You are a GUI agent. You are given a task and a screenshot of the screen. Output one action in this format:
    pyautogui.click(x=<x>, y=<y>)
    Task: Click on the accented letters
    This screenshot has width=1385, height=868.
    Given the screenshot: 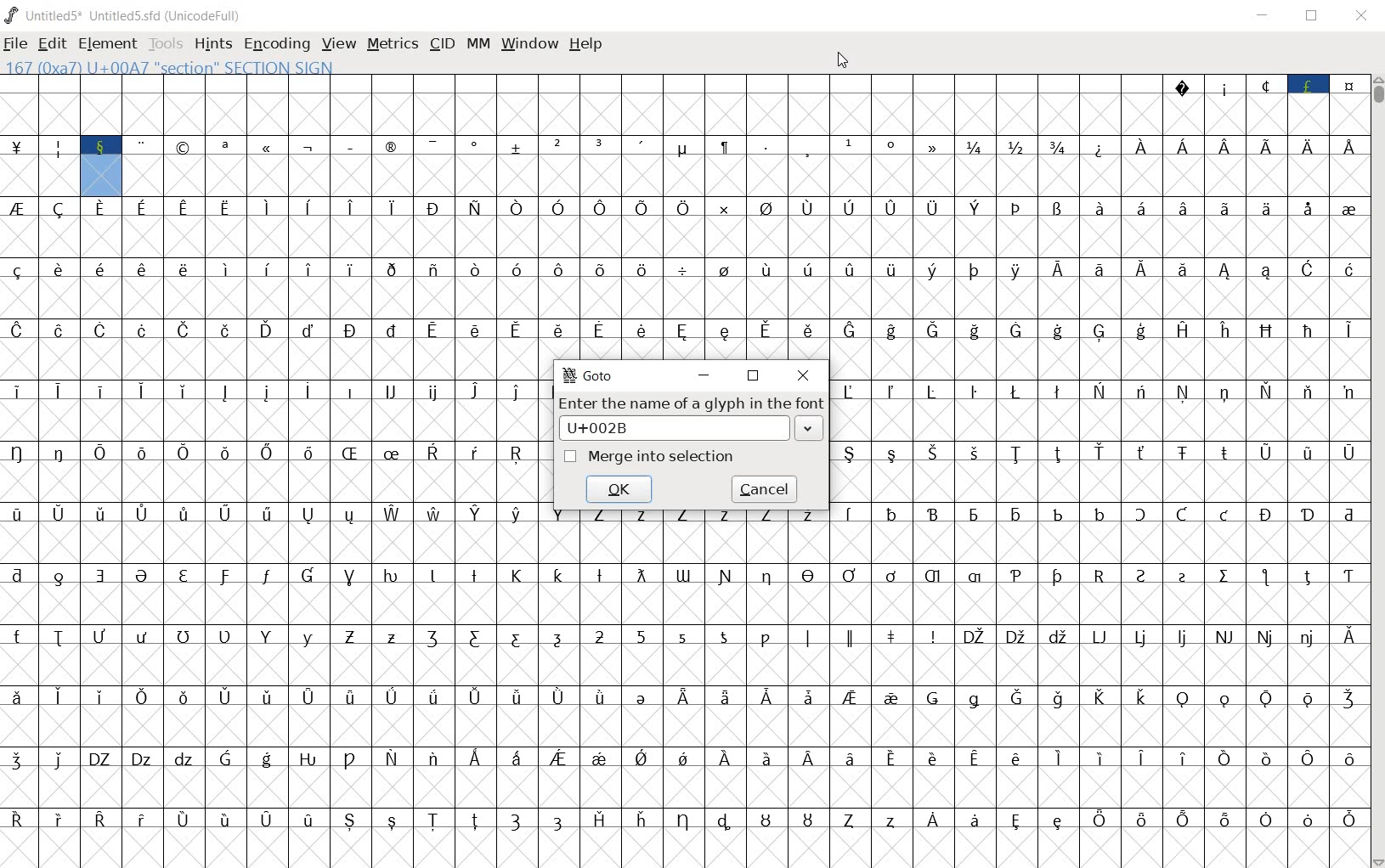 What is the action you would take?
    pyautogui.click(x=206, y=350)
    